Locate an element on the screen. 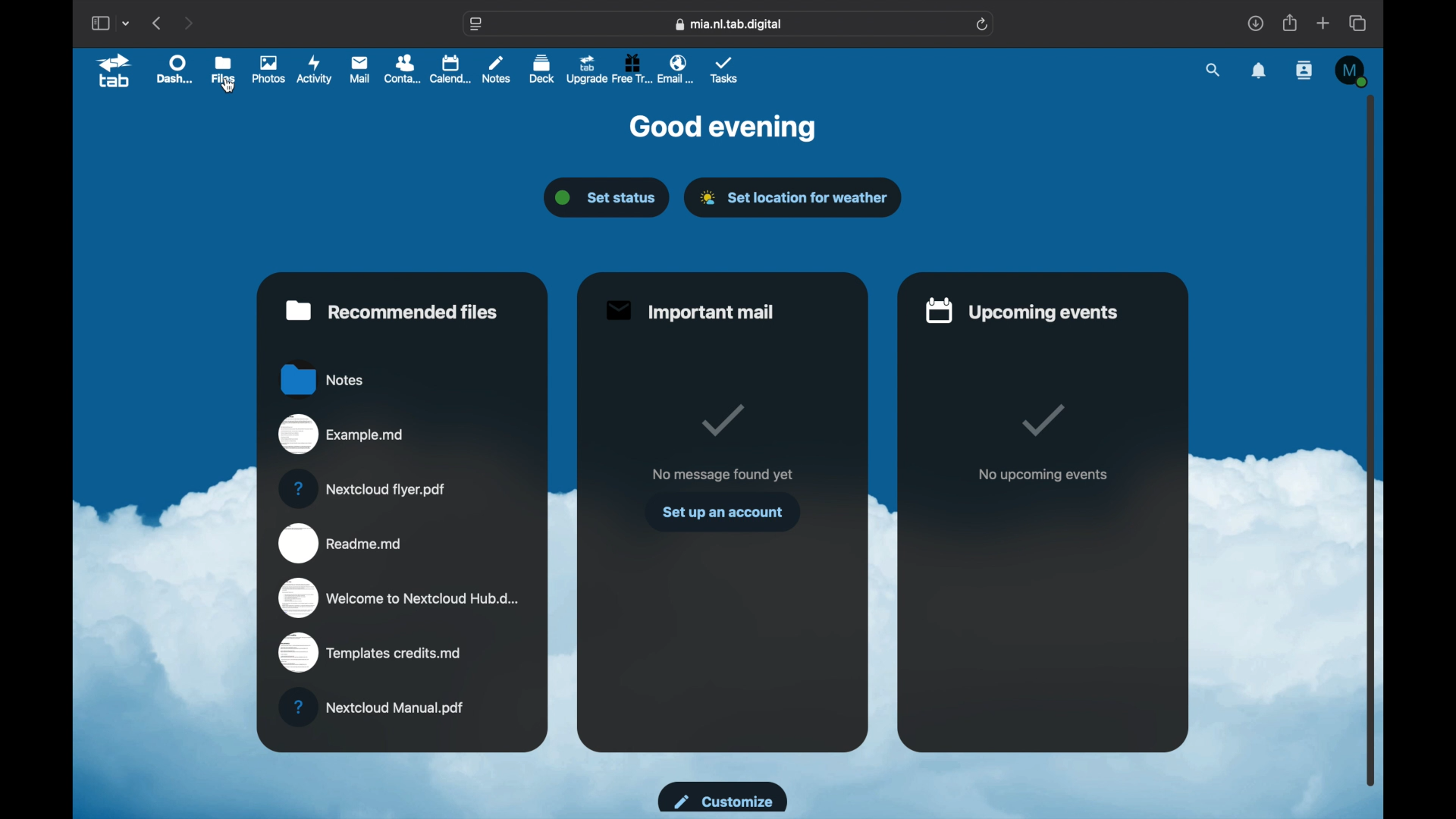  upgrade is located at coordinates (585, 69).